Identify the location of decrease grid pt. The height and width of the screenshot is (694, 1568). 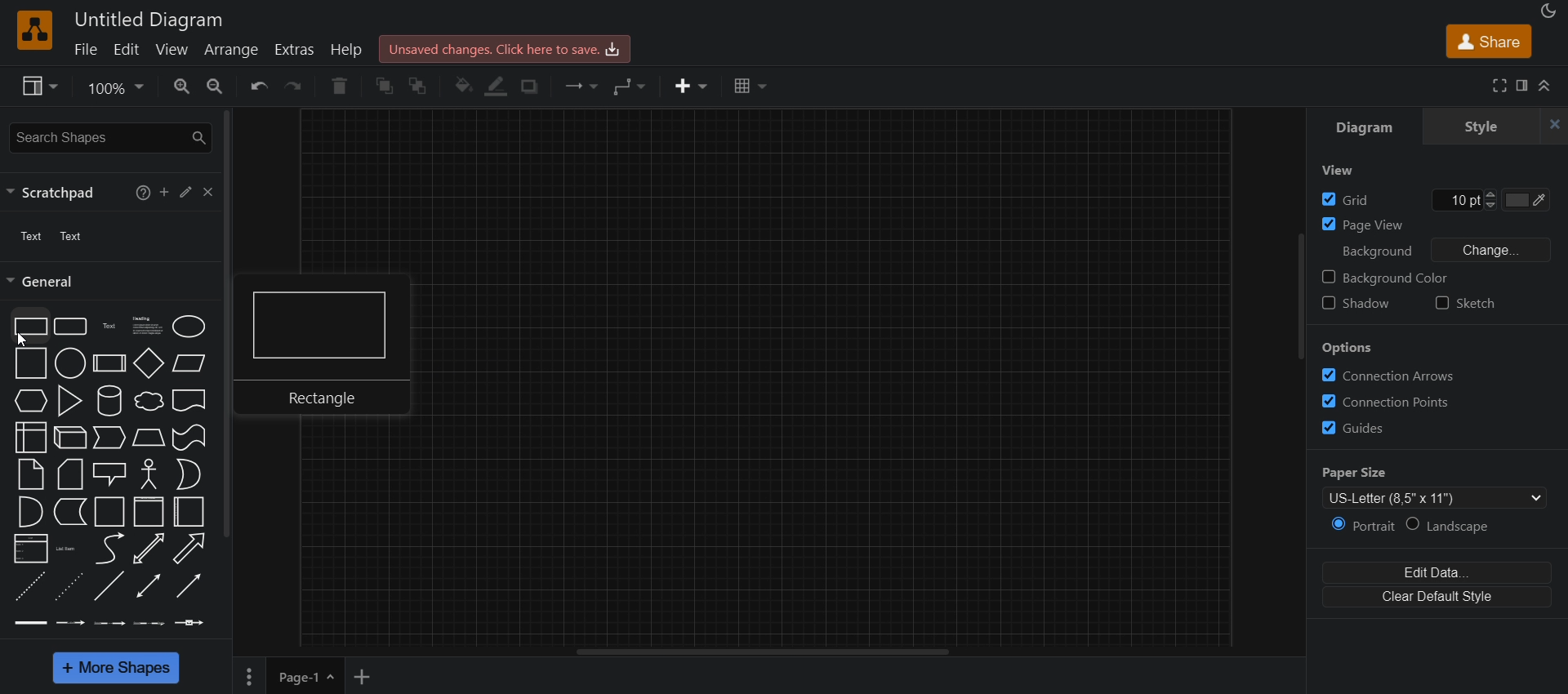
(1494, 205).